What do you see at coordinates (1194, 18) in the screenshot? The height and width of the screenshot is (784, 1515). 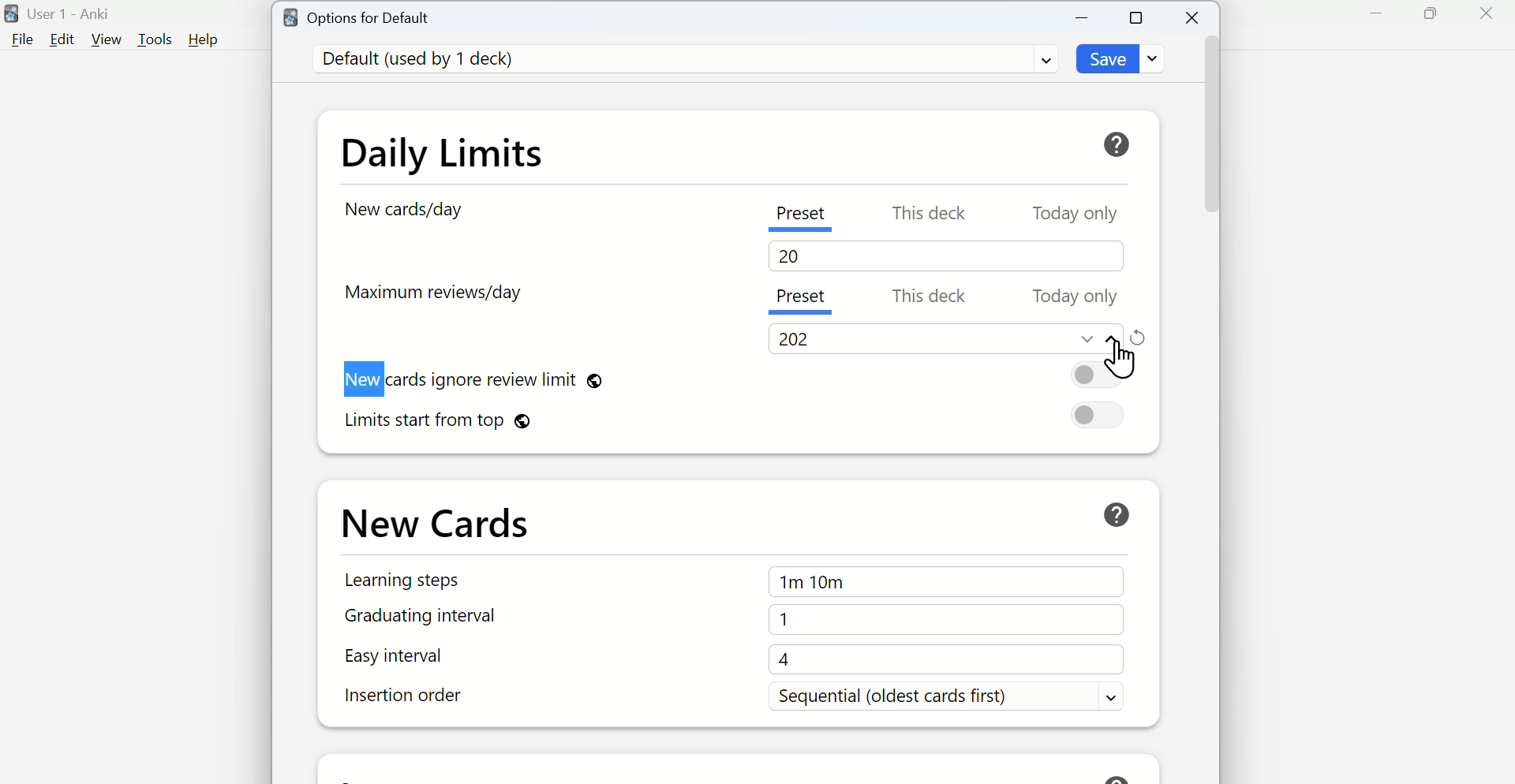 I see `Close` at bounding box center [1194, 18].